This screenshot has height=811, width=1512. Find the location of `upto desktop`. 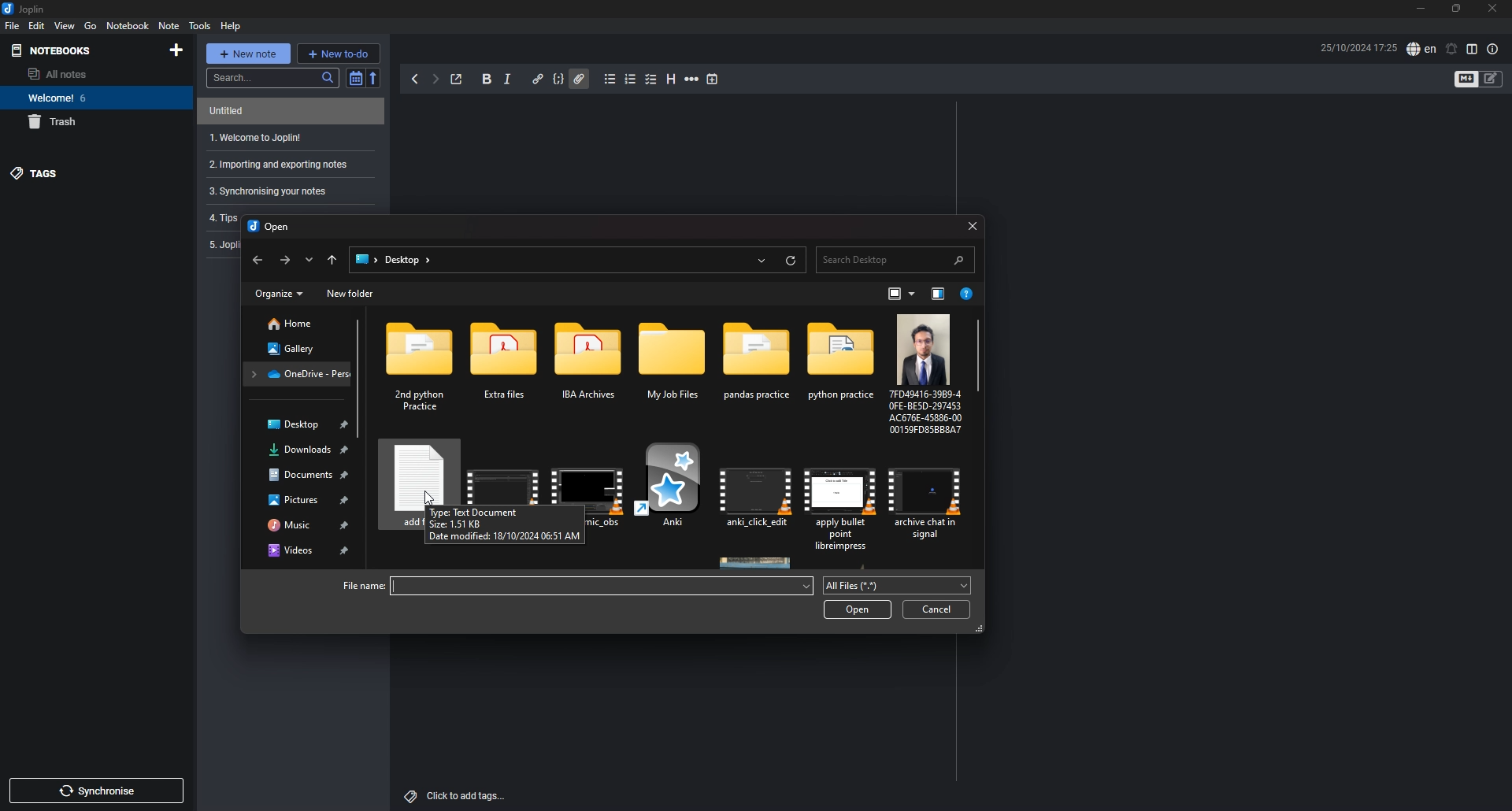

upto desktop is located at coordinates (333, 260).